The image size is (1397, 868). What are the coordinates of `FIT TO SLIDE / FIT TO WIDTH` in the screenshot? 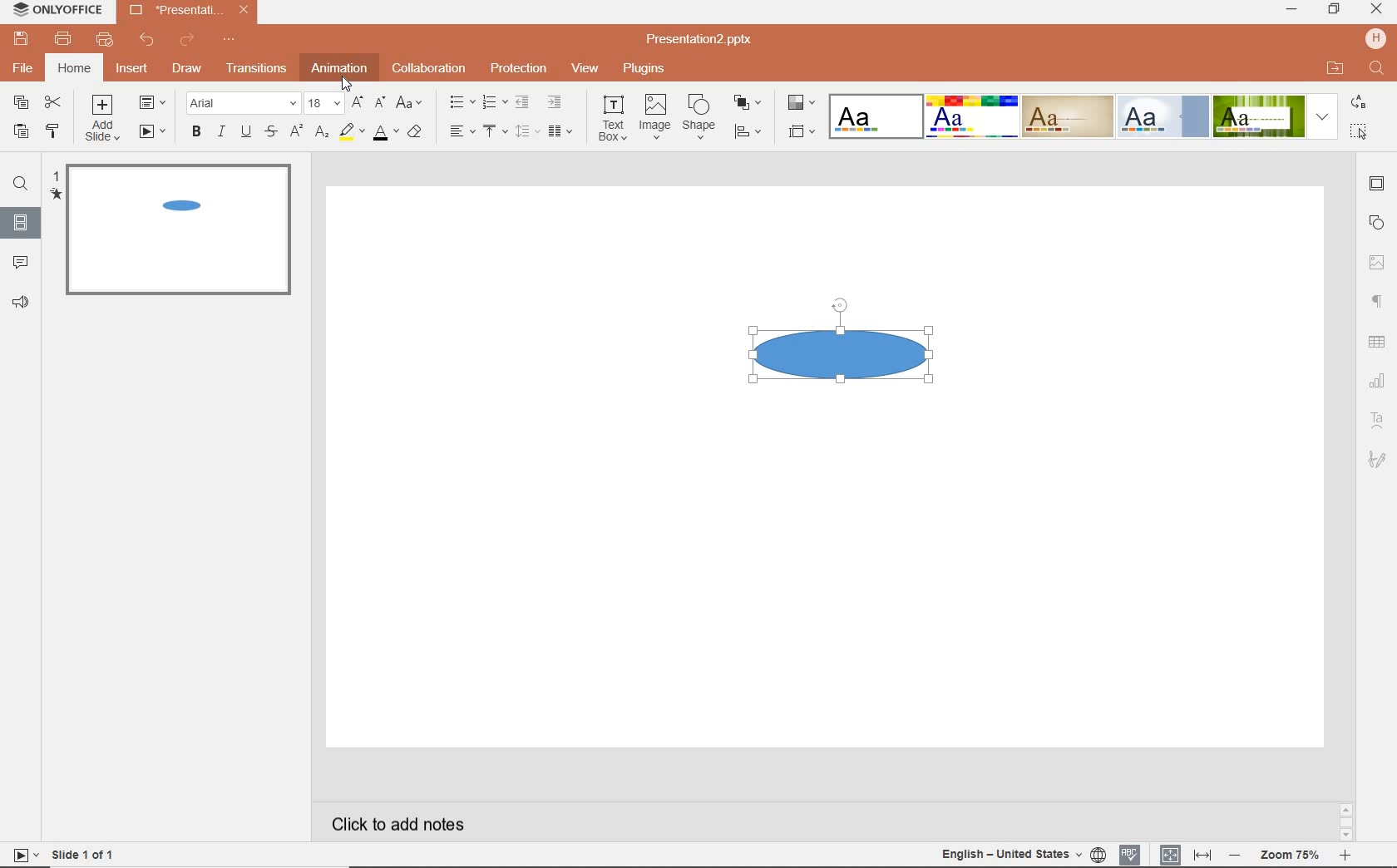 It's located at (1186, 855).